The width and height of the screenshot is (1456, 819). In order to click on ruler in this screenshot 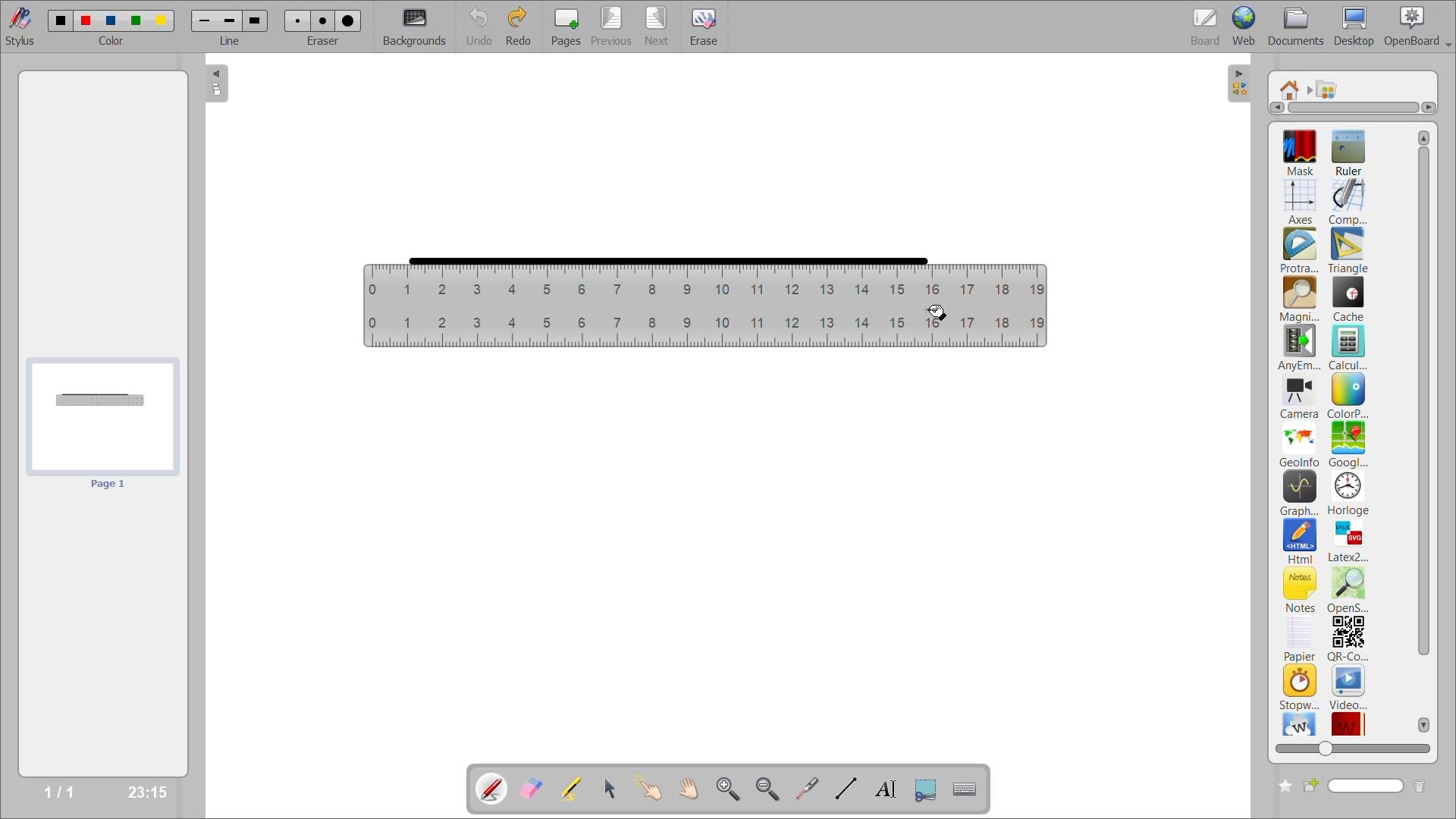, I will do `click(705, 309)`.